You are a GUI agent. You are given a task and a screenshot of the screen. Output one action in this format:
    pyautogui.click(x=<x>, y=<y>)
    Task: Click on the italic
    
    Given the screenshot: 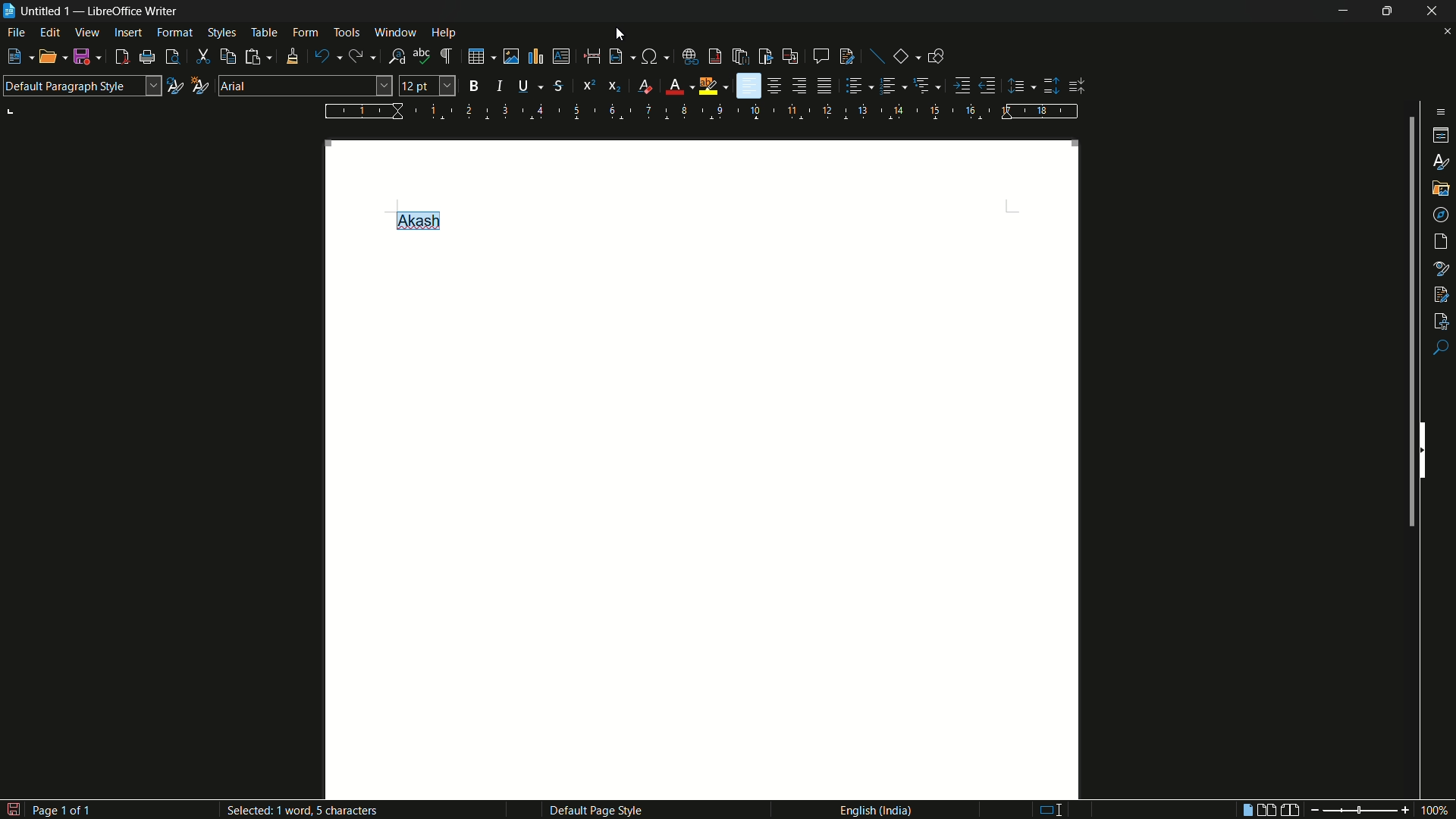 What is the action you would take?
    pyautogui.click(x=504, y=86)
    